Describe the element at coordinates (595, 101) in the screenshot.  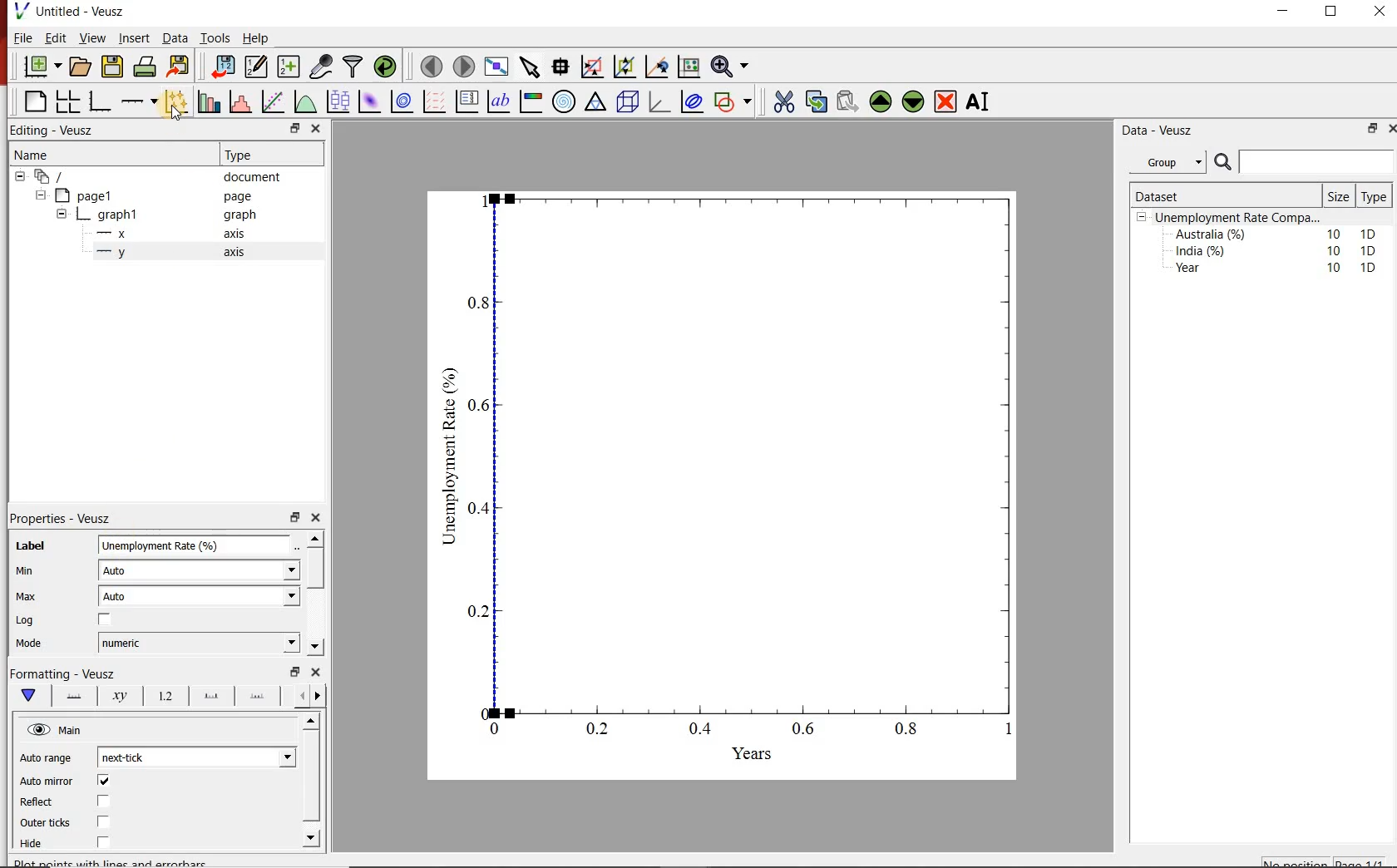
I see `ternary graph` at that location.